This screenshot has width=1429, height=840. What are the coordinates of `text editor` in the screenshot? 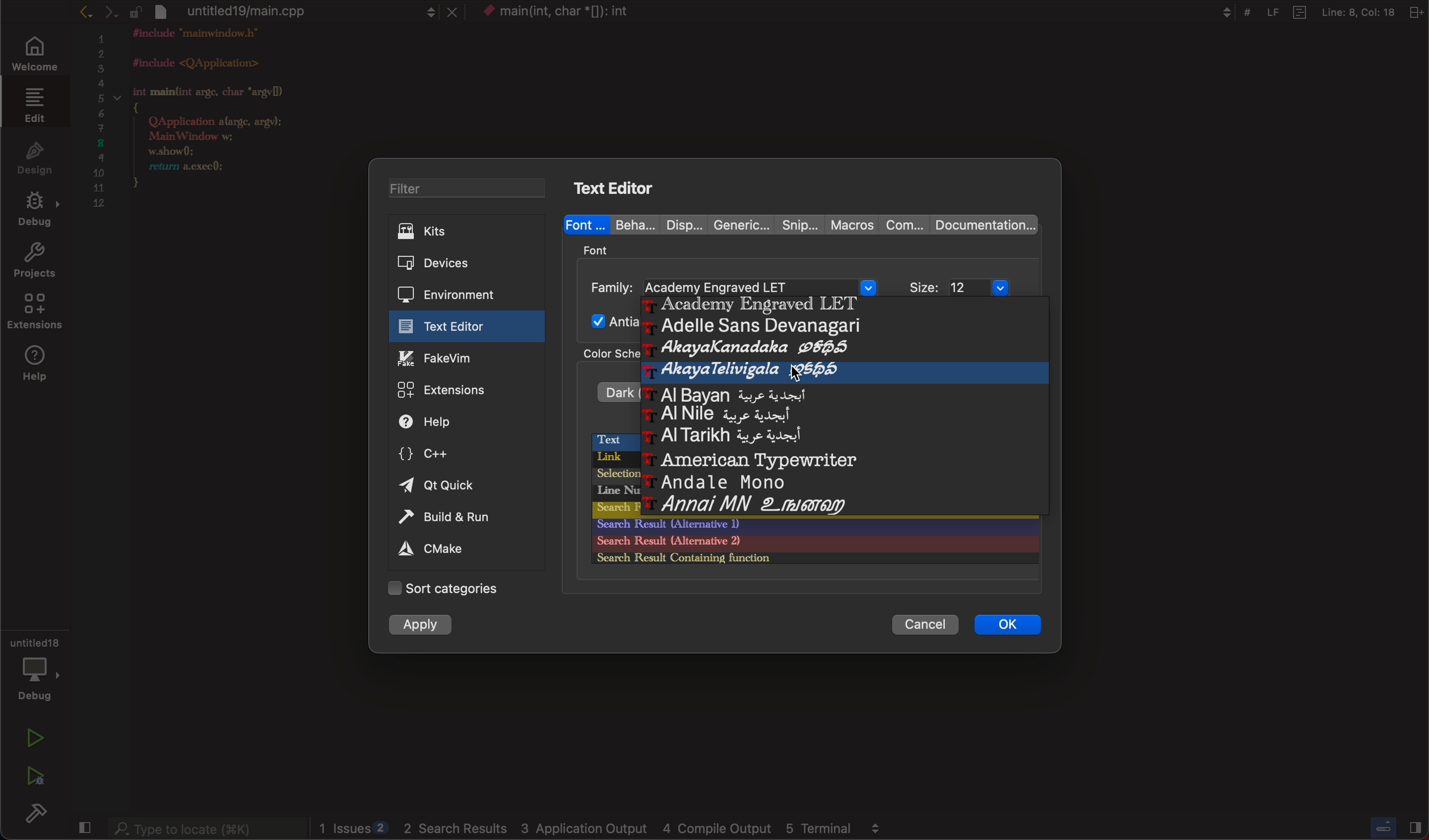 It's located at (459, 326).